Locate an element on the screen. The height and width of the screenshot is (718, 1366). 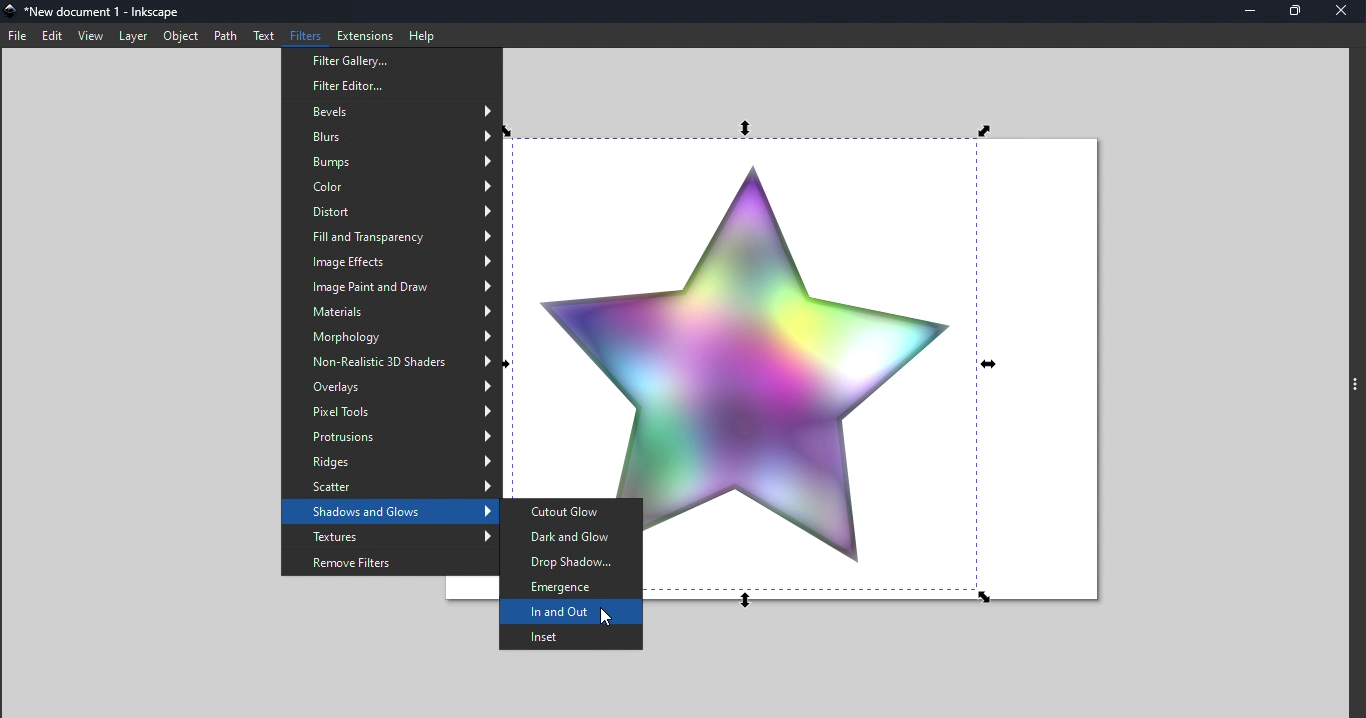
Filters is located at coordinates (306, 36).